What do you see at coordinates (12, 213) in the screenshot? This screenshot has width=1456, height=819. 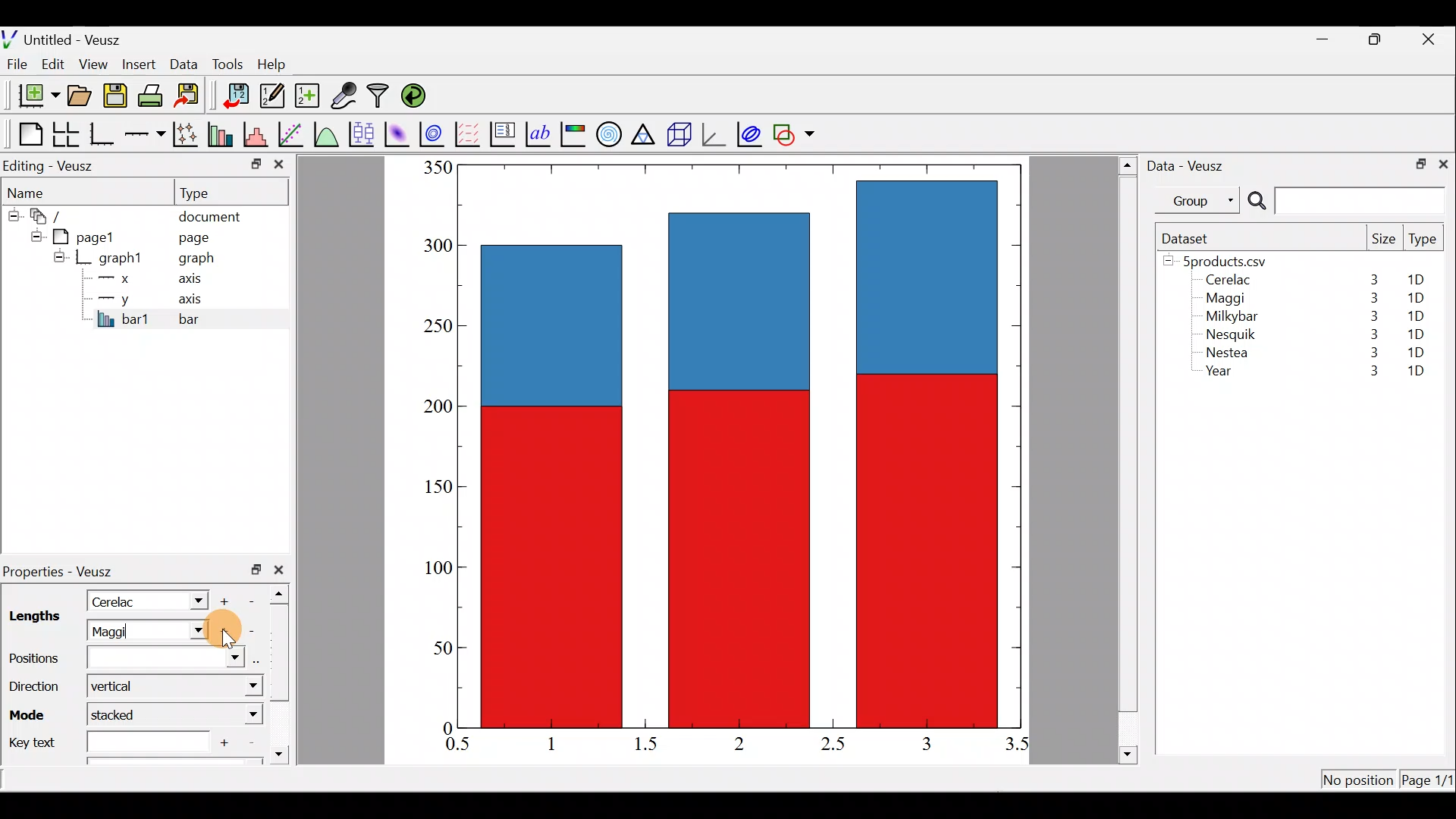 I see `hide` at bounding box center [12, 213].